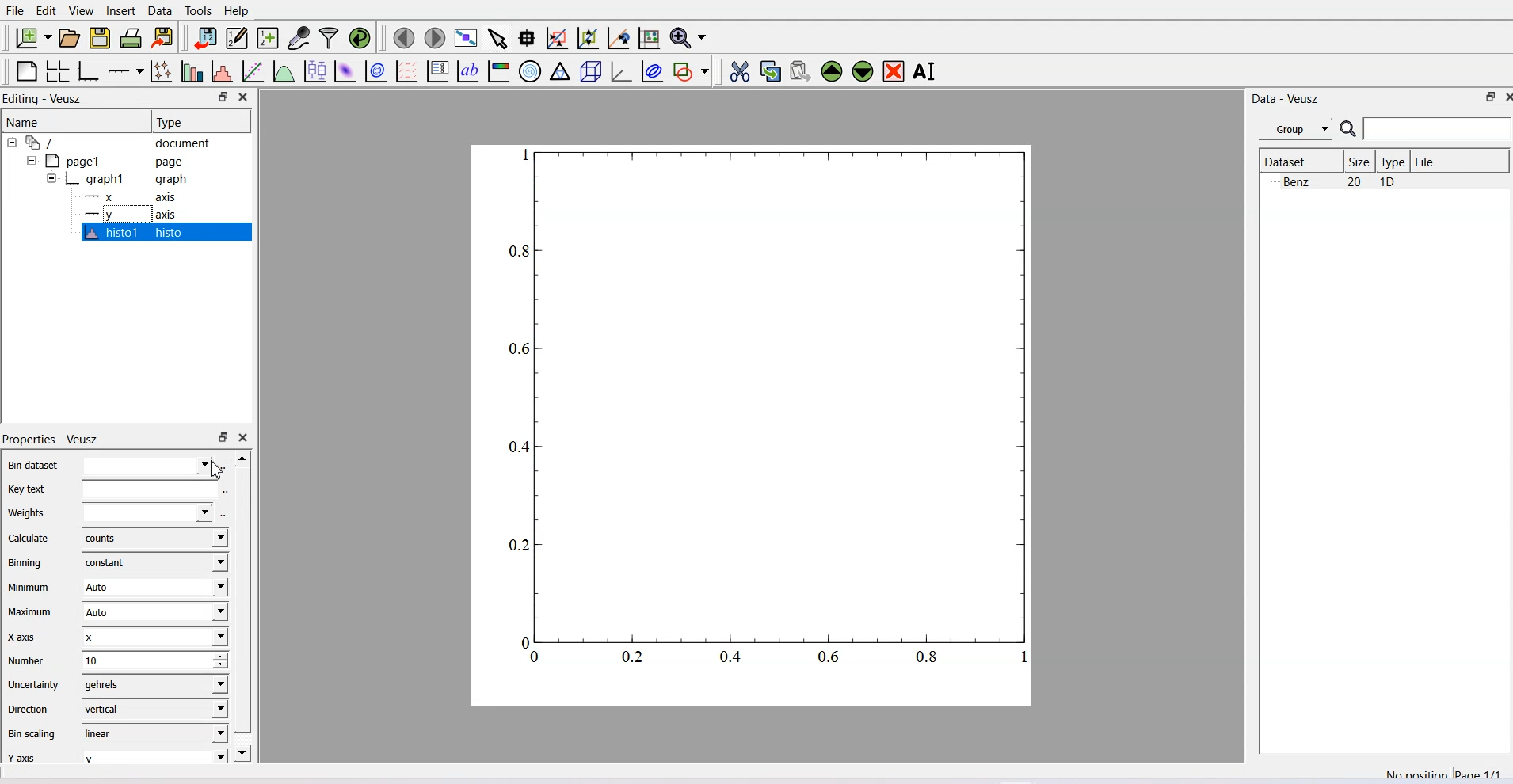 This screenshot has height=784, width=1513. Describe the element at coordinates (437, 71) in the screenshot. I see `Plot key` at that location.